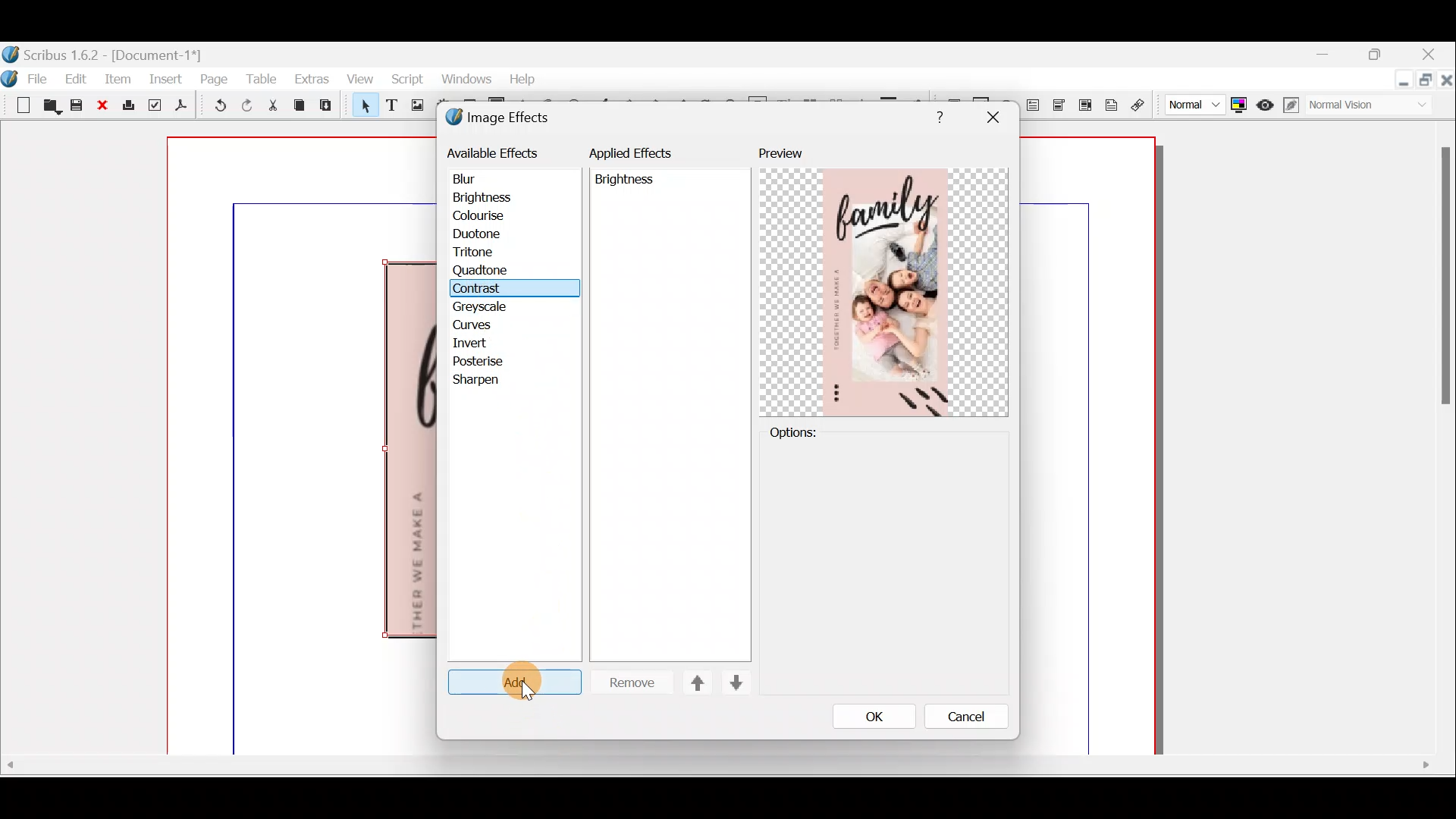 The height and width of the screenshot is (819, 1456). Describe the element at coordinates (303, 447) in the screenshot. I see `Canvas` at that location.